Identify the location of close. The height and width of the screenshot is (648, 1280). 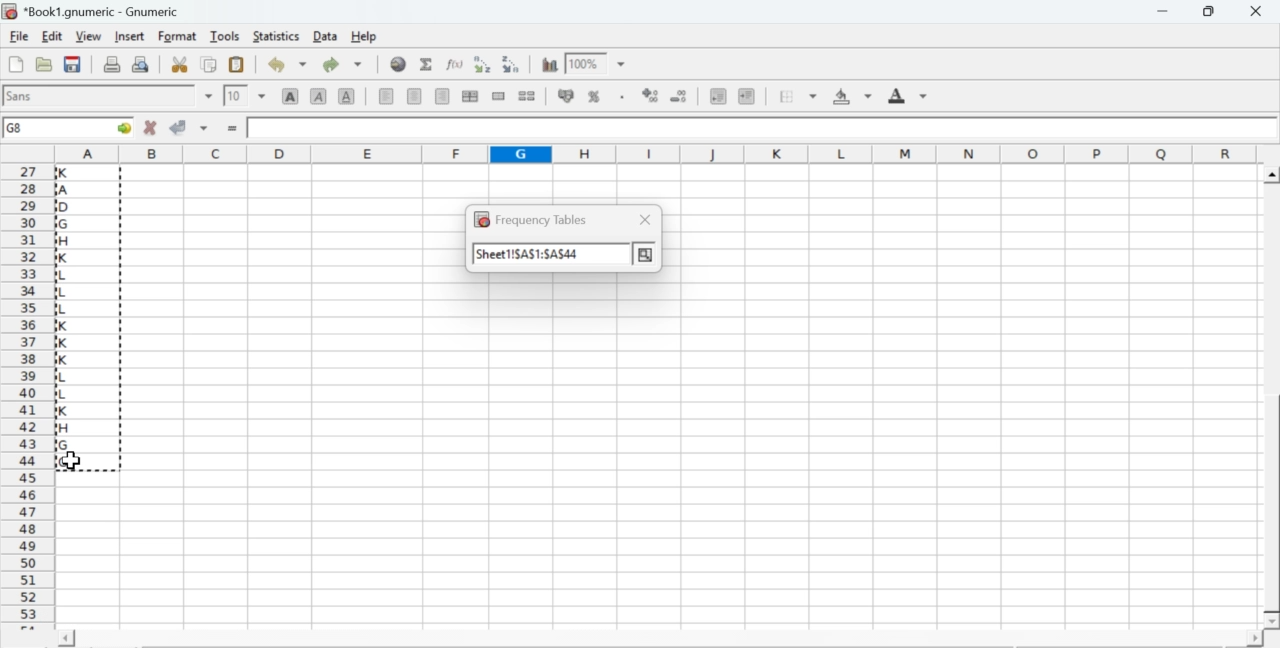
(646, 219).